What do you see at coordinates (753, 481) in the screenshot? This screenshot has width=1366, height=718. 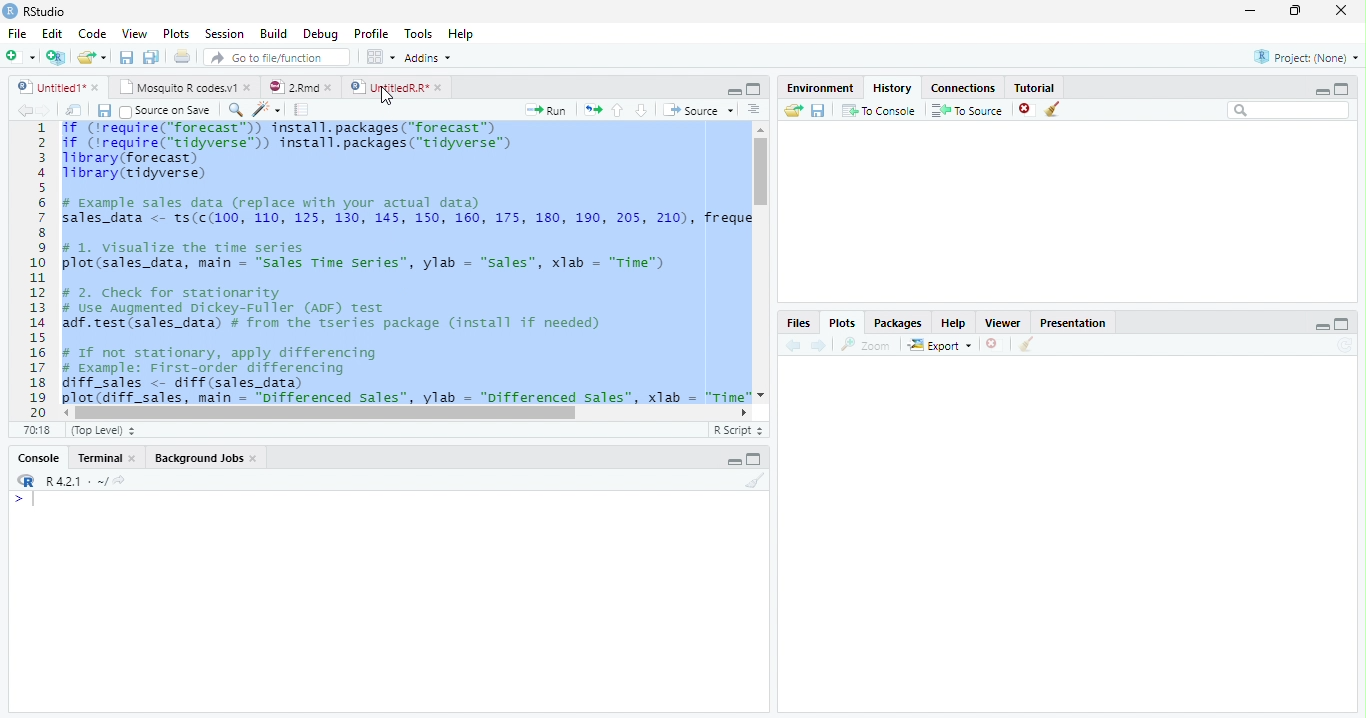 I see `Clean` at bounding box center [753, 481].